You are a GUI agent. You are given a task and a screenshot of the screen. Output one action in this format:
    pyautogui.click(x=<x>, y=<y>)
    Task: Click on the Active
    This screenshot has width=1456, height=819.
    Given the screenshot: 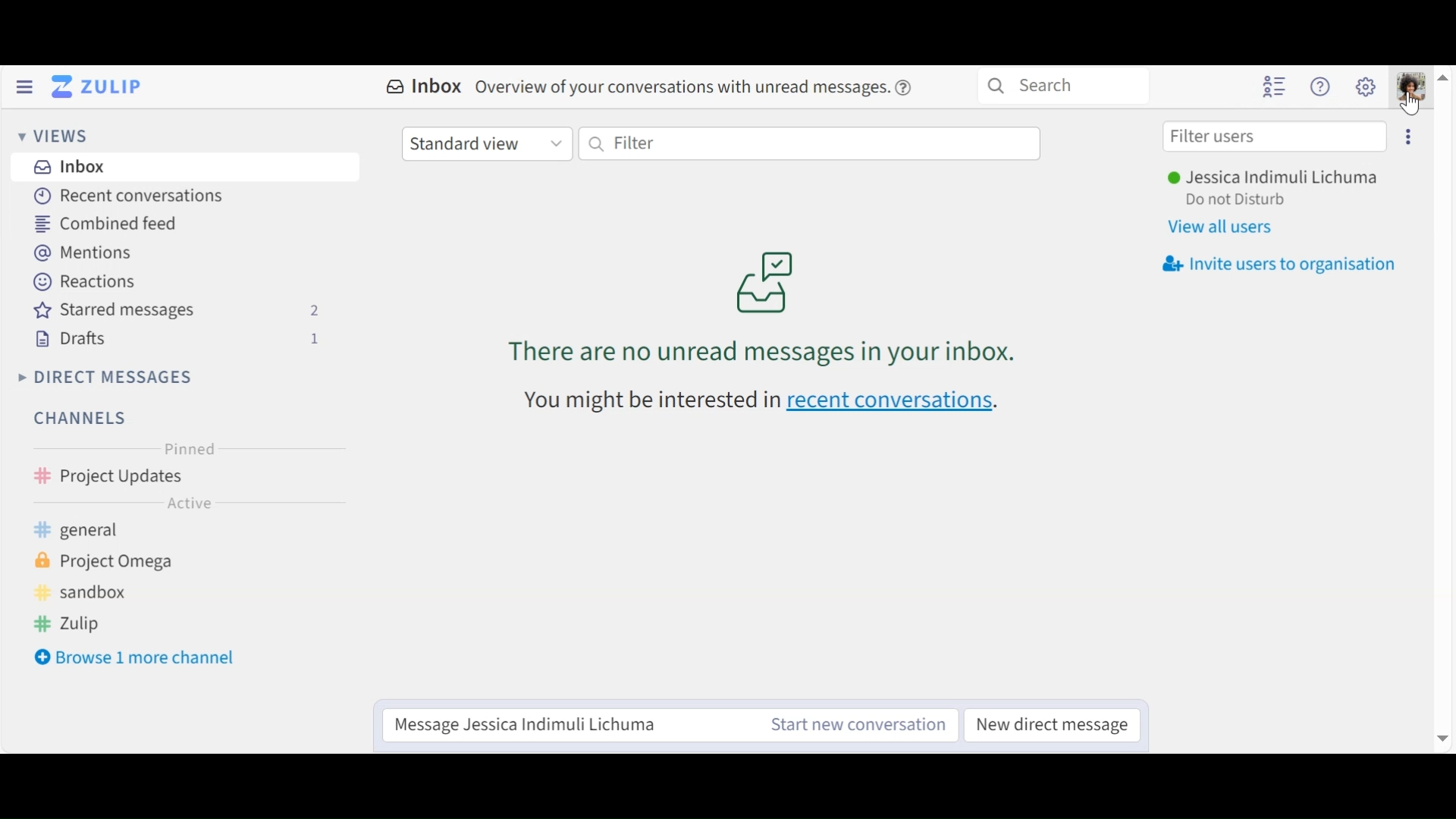 What is the action you would take?
    pyautogui.click(x=188, y=503)
    